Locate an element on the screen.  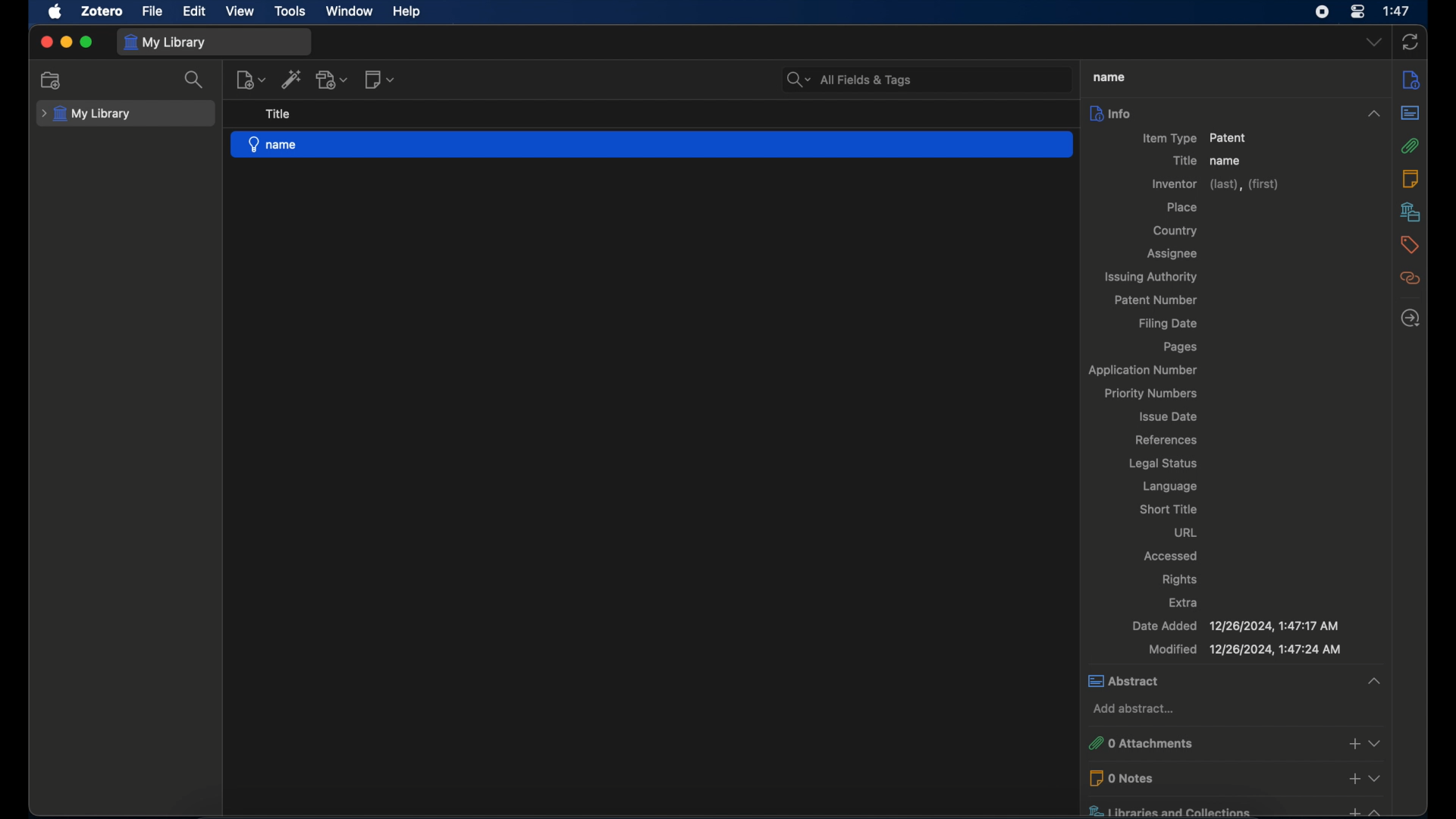
name is located at coordinates (1110, 77).